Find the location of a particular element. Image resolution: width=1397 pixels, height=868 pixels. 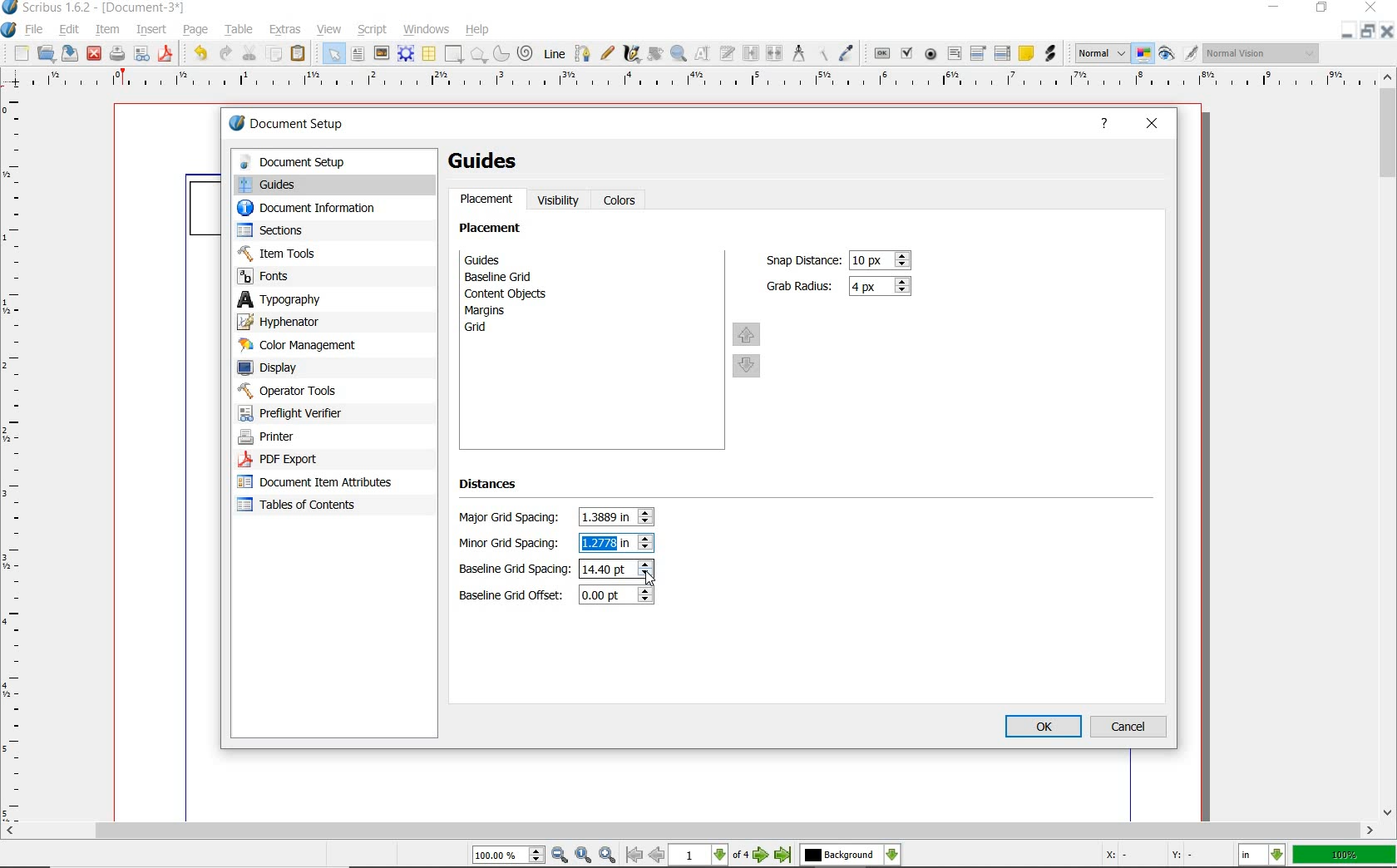

ruler is located at coordinates (19, 460).